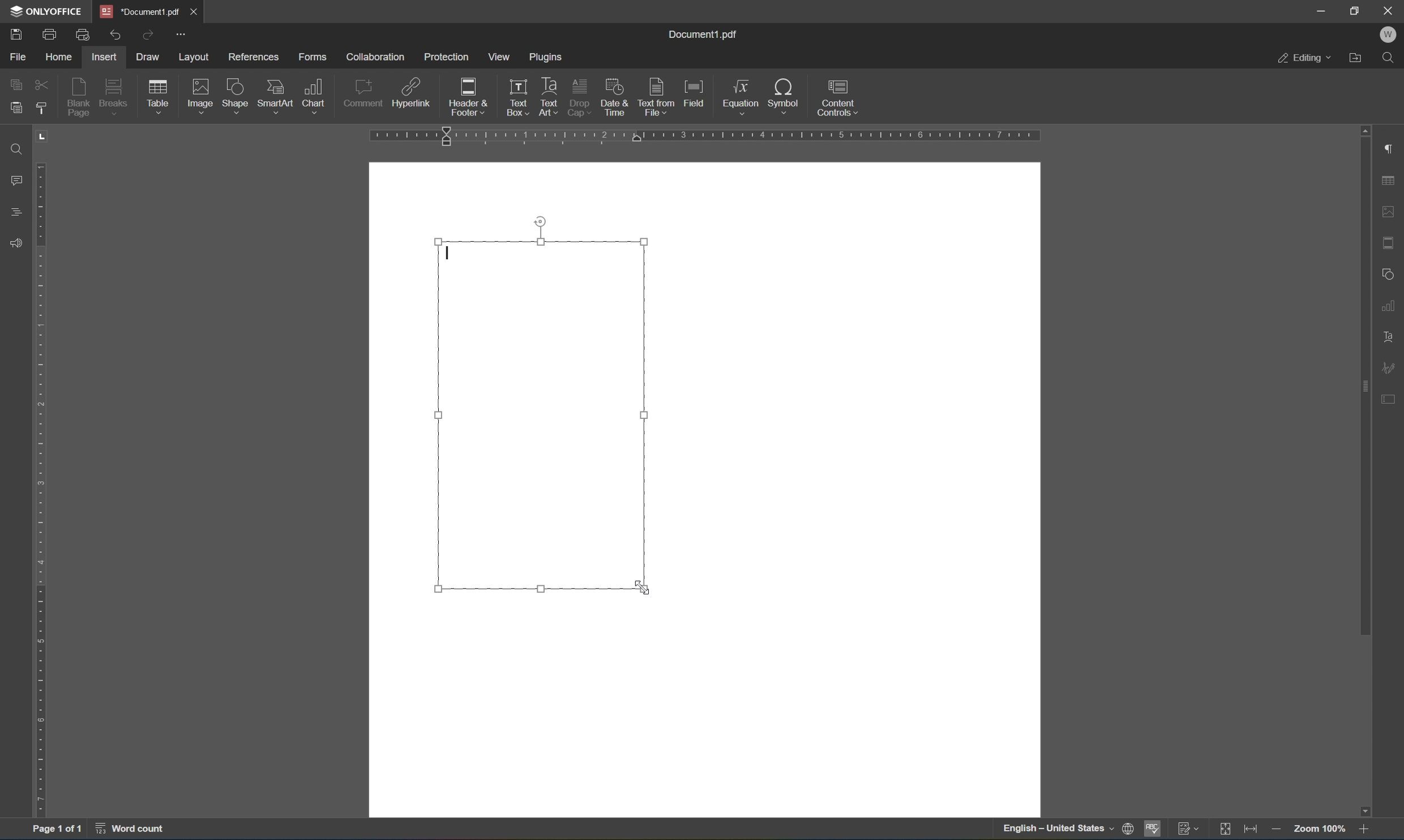 The height and width of the screenshot is (840, 1404). I want to click on fit to width , so click(1251, 831).